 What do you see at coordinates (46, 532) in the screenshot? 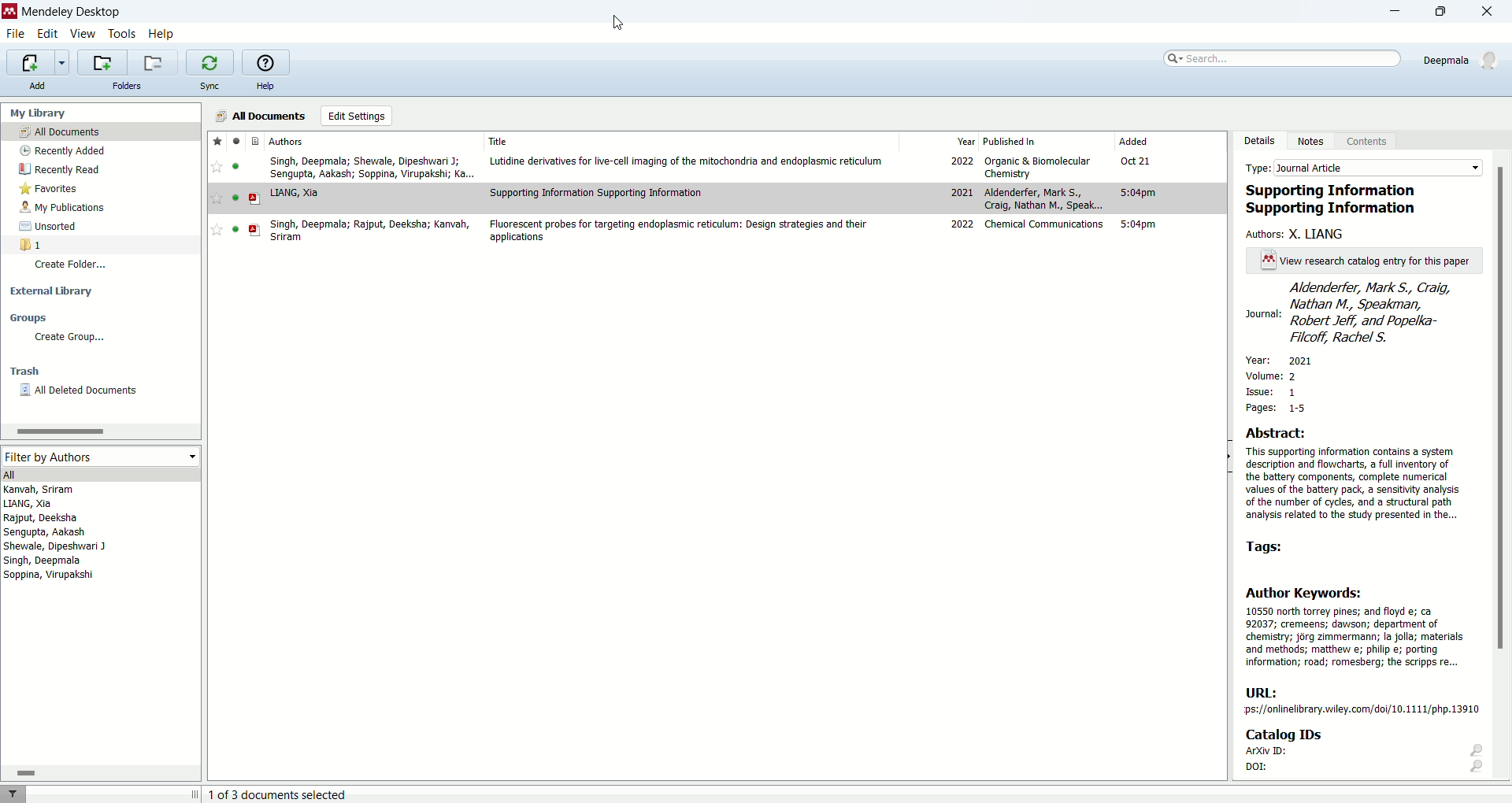
I see `sengupta, aakash` at bounding box center [46, 532].